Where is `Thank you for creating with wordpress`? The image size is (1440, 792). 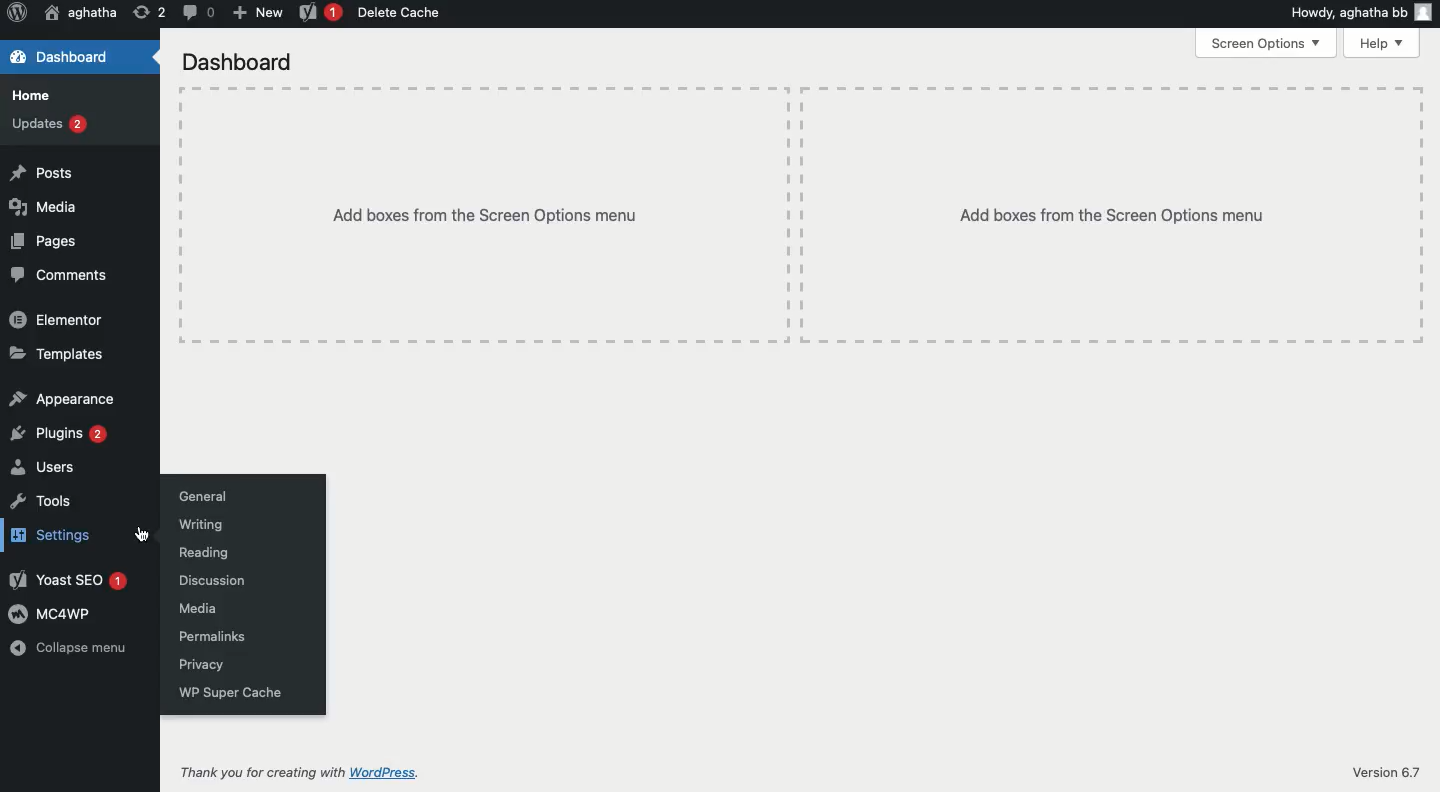
Thank you for creating with wordpress is located at coordinates (298, 774).